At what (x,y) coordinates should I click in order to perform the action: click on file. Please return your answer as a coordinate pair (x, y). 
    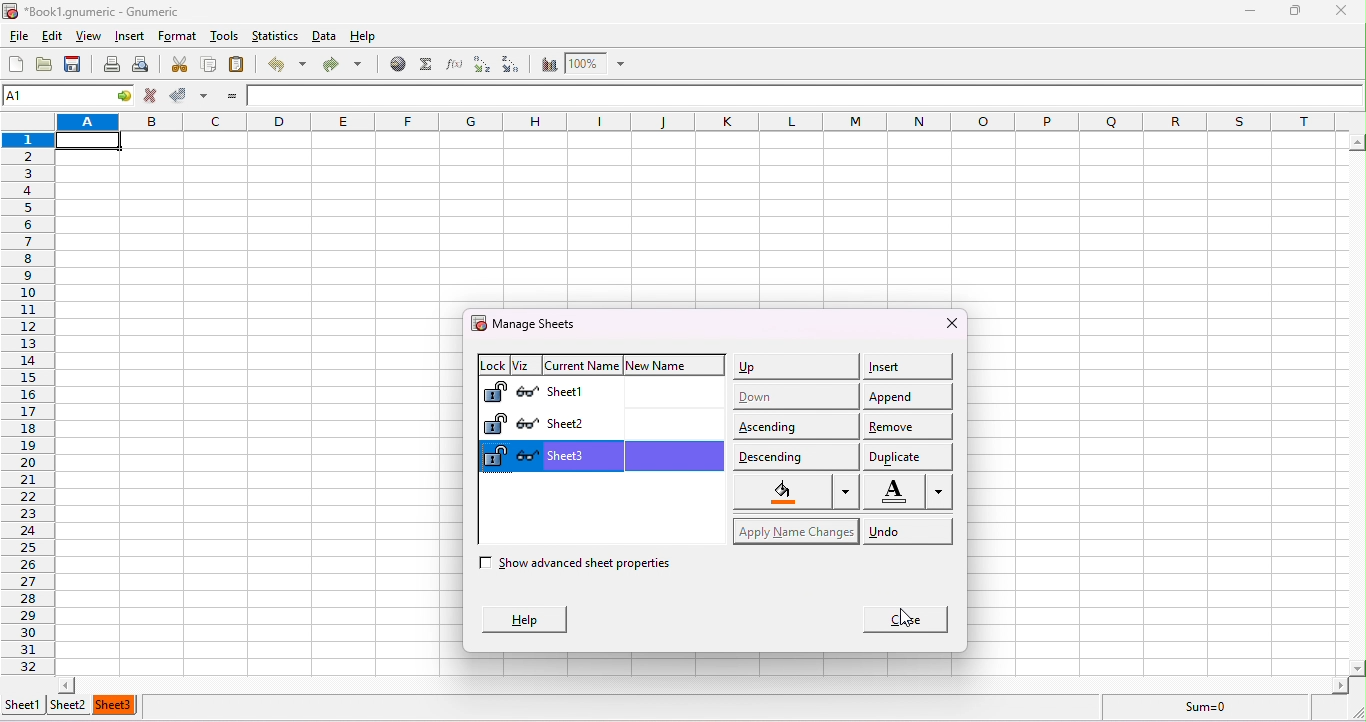
    Looking at the image, I should click on (18, 35).